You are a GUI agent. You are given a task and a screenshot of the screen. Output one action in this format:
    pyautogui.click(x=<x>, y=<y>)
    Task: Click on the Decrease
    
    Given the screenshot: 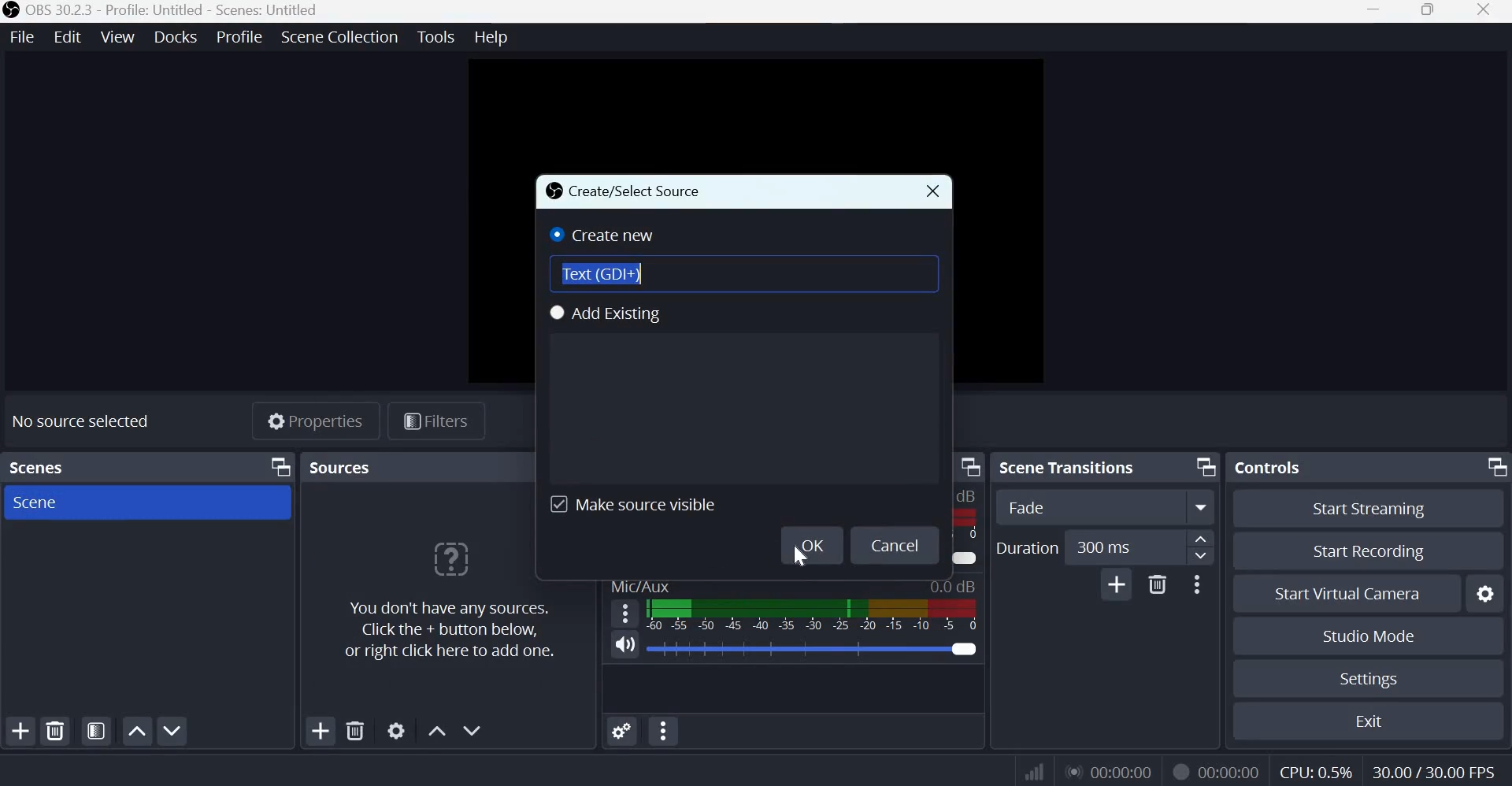 What is the action you would take?
    pyautogui.click(x=1202, y=559)
    